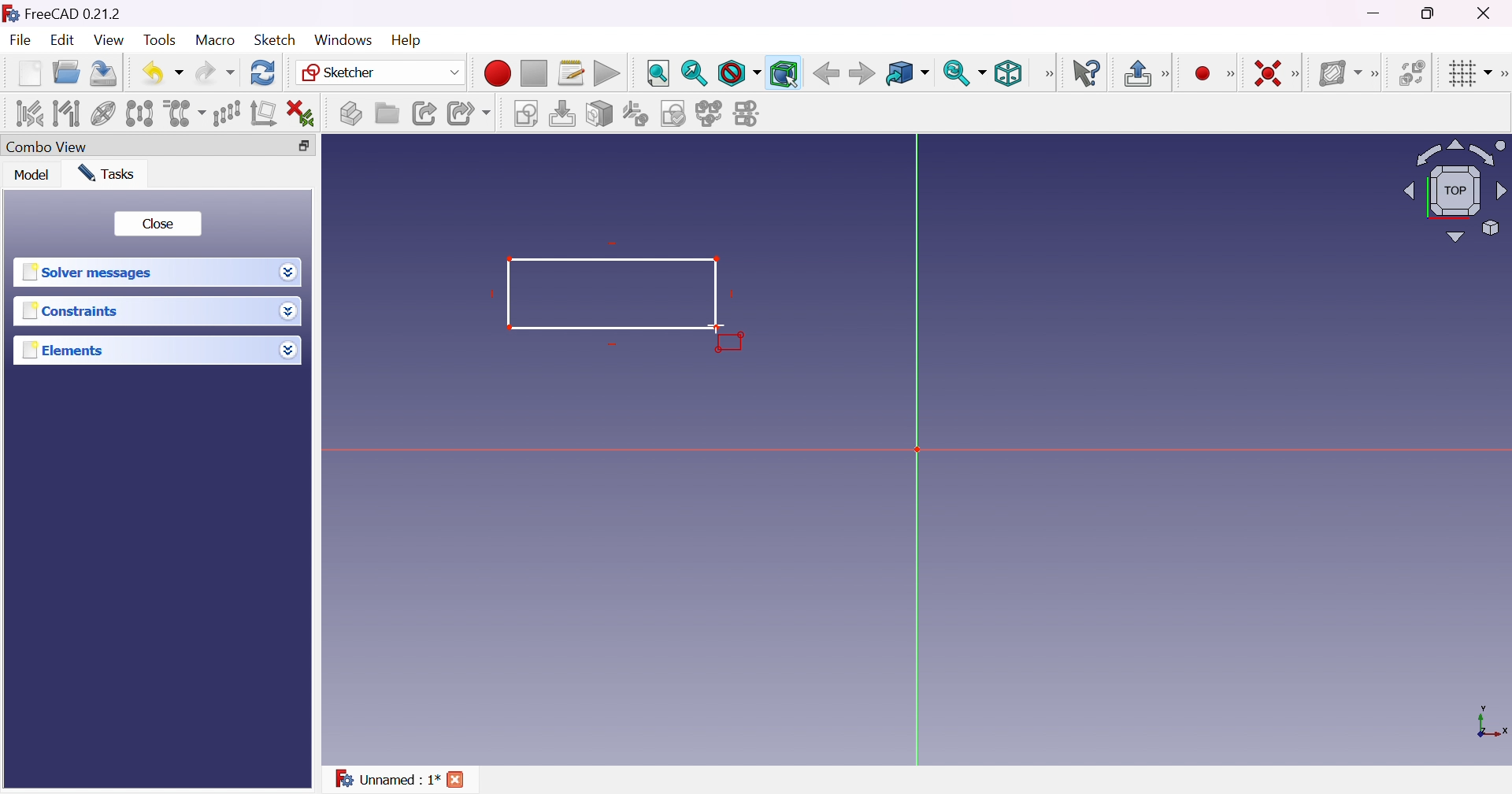 Image resolution: width=1512 pixels, height=794 pixels. What do you see at coordinates (862, 74) in the screenshot?
I see `Forward` at bounding box center [862, 74].